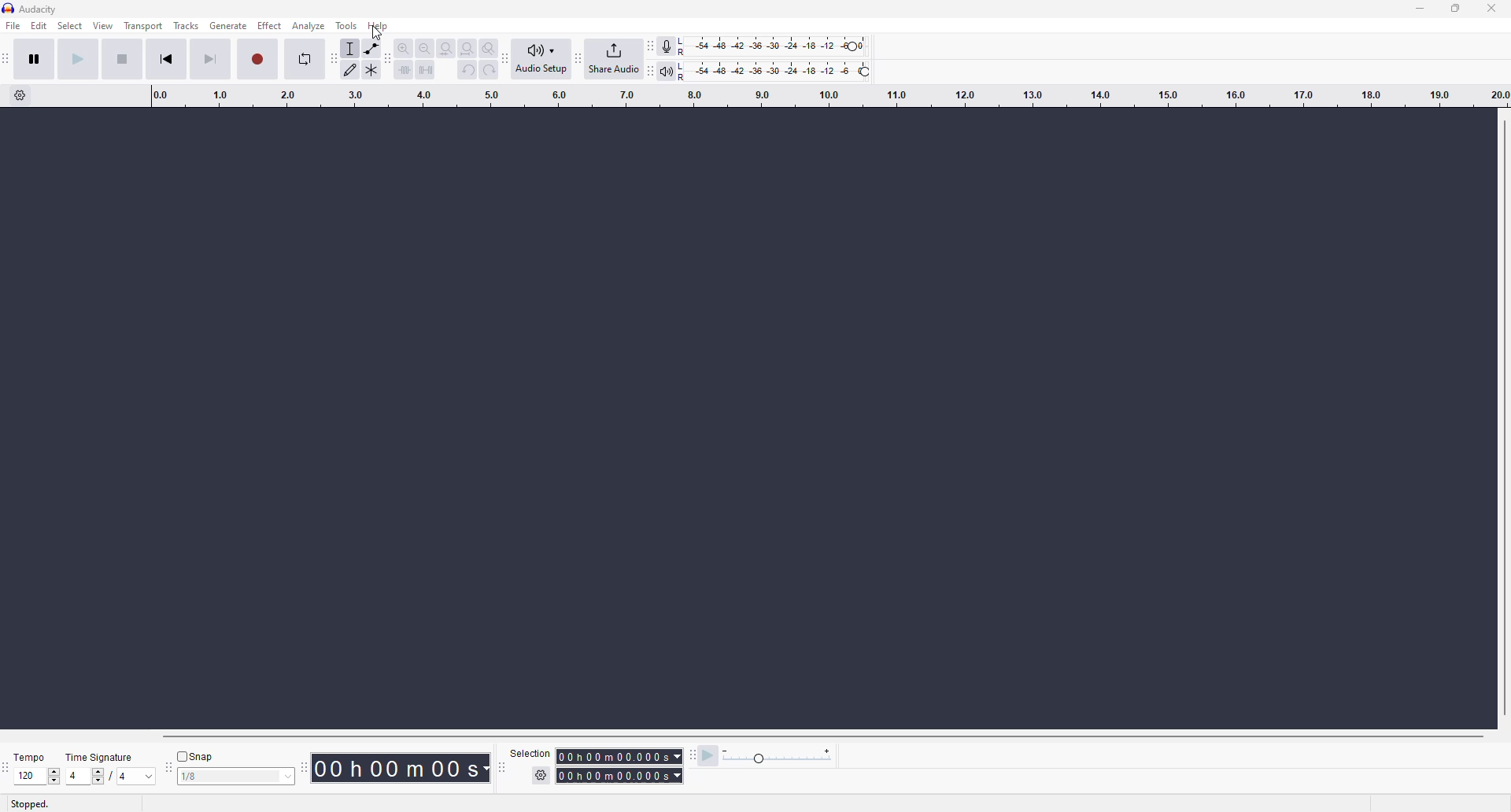 The width and height of the screenshot is (1511, 812). What do you see at coordinates (427, 46) in the screenshot?
I see `zoom out` at bounding box center [427, 46].